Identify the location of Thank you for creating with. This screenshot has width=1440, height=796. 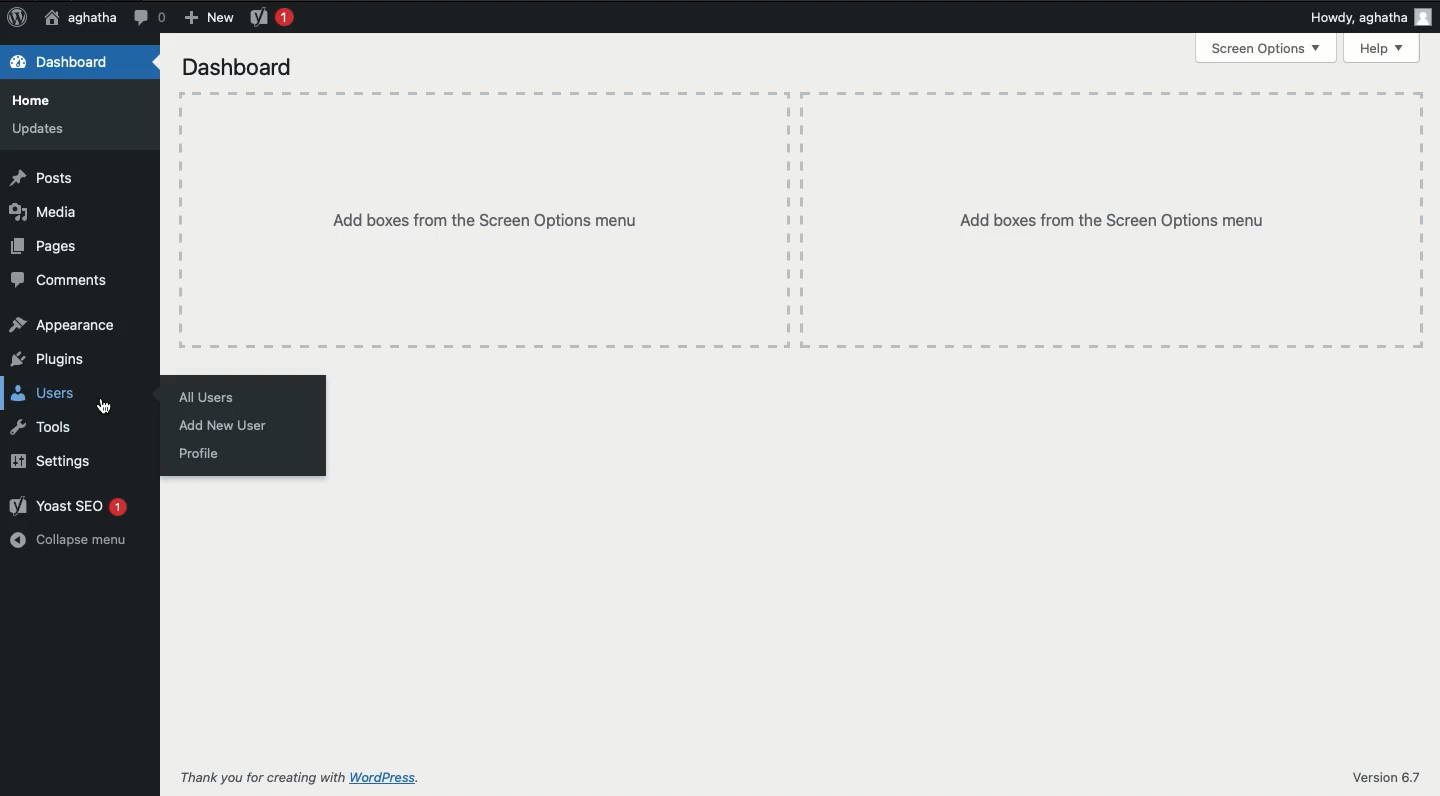
(260, 775).